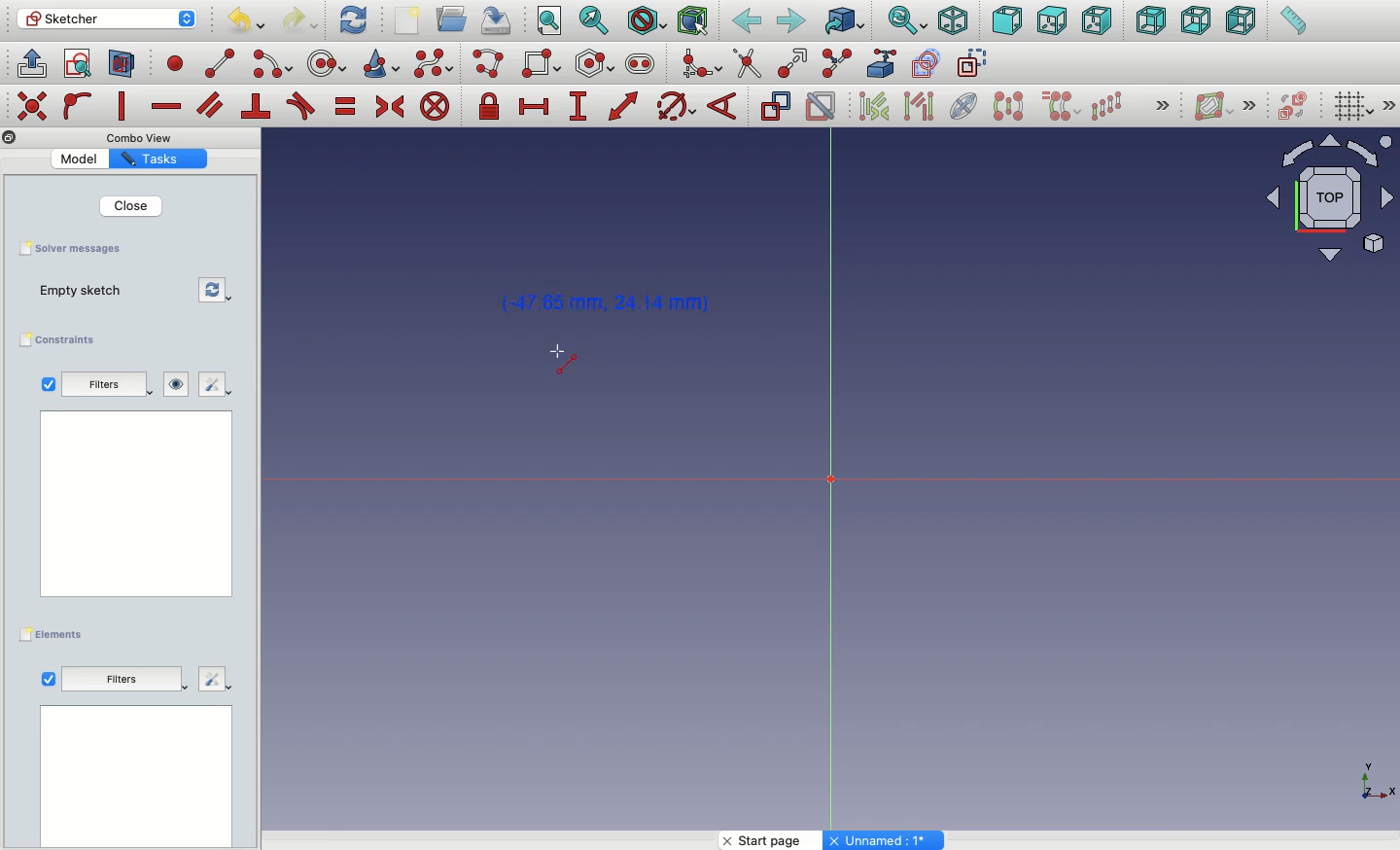 Image resolution: width=1400 pixels, height=850 pixels. I want to click on Constrain distance, so click(624, 106).